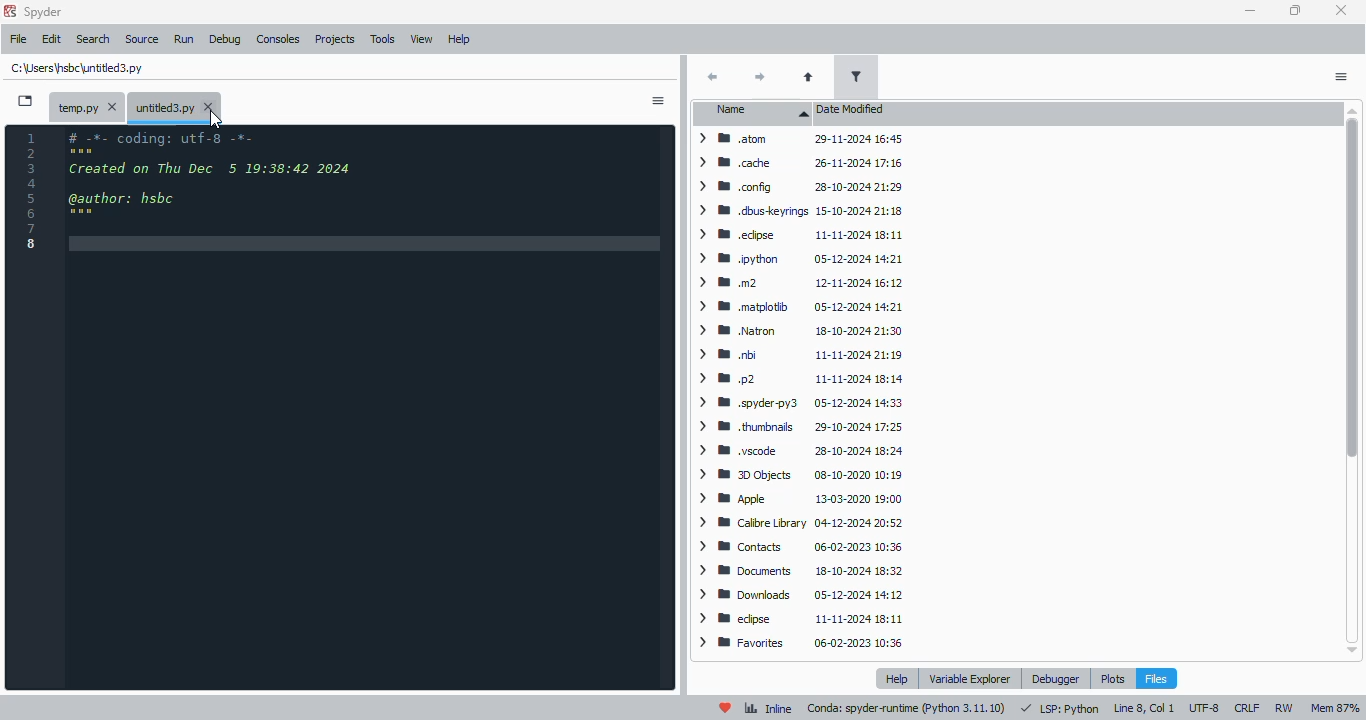 The width and height of the screenshot is (1366, 720). Describe the element at coordinates (1253, 12) in the screenshot. I see `minimize` at that location.